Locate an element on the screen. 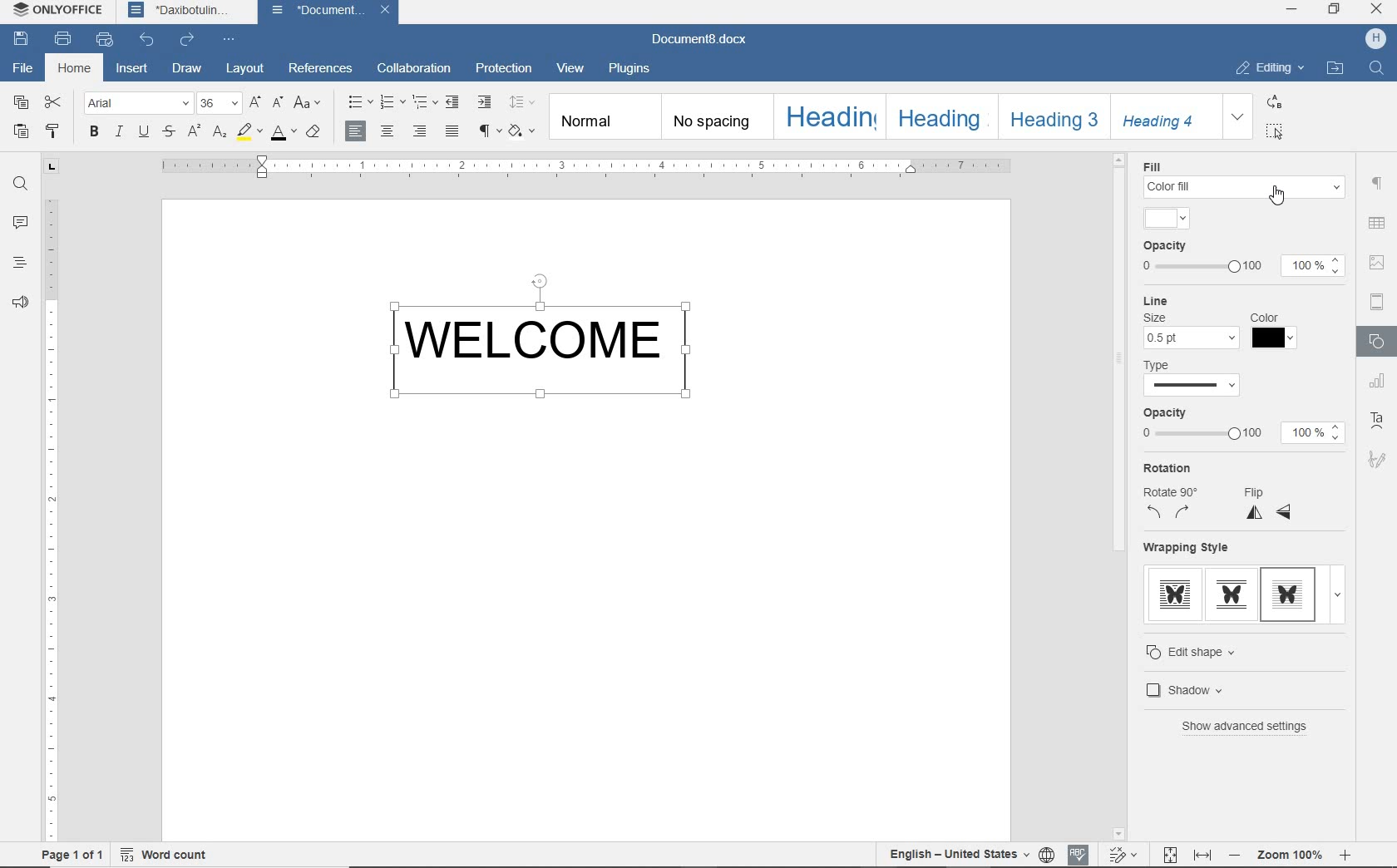 This screenshot has width=1397, height=868. Increase/Decrease opacity is located at coordinates (1337, 432).